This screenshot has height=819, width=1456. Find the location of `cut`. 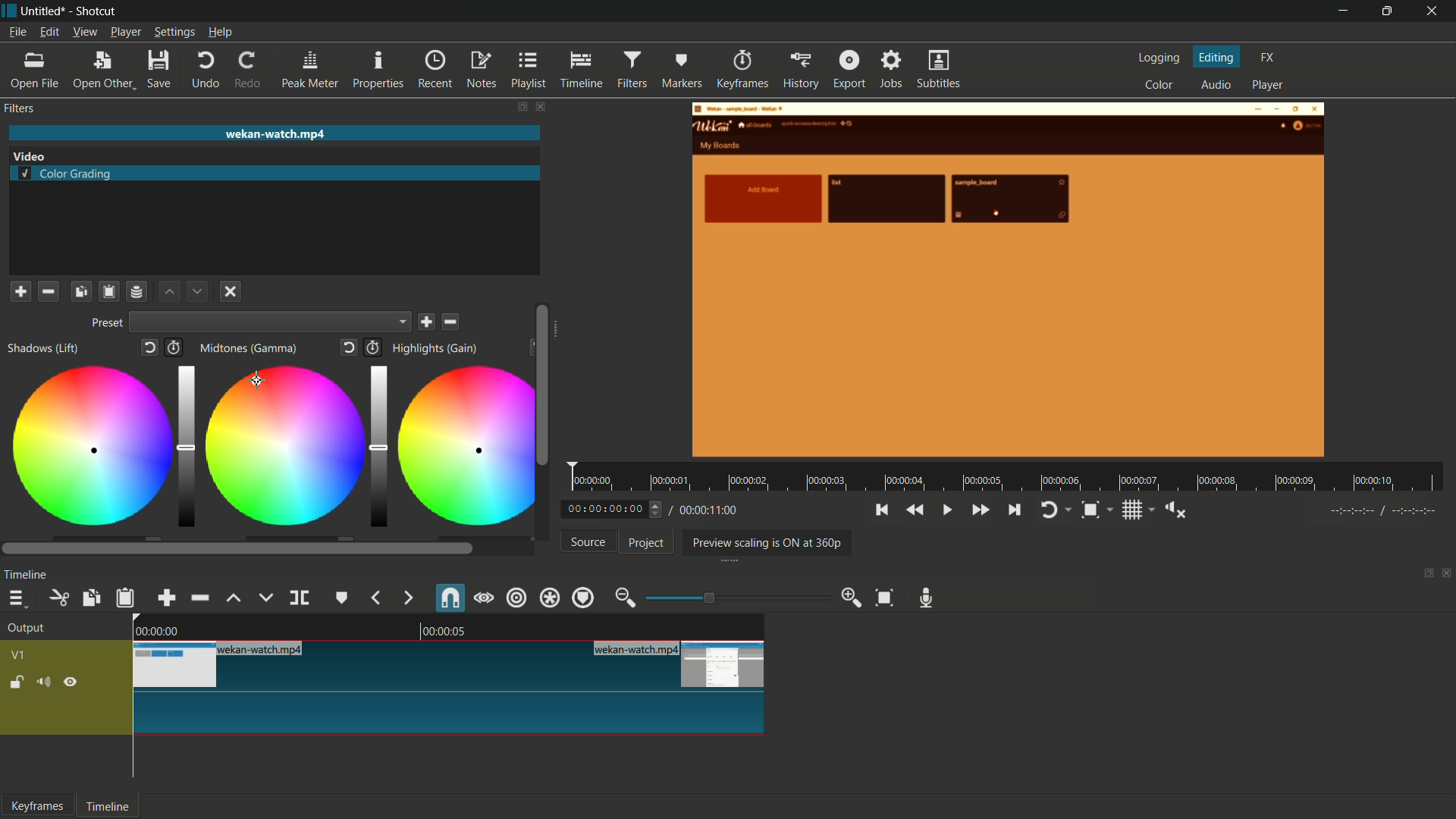

cut is located at coordinates (61, 598).